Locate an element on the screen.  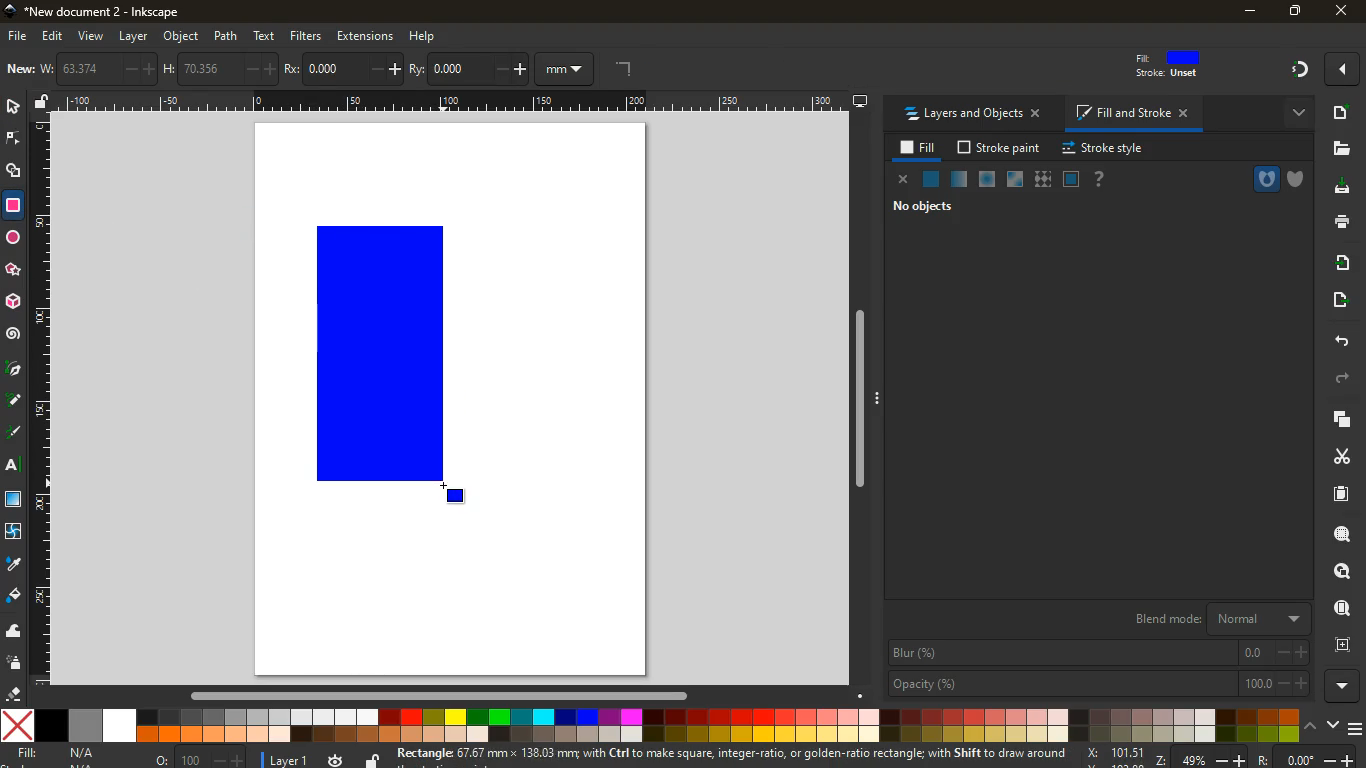
w is located at coordinates (97, 69).